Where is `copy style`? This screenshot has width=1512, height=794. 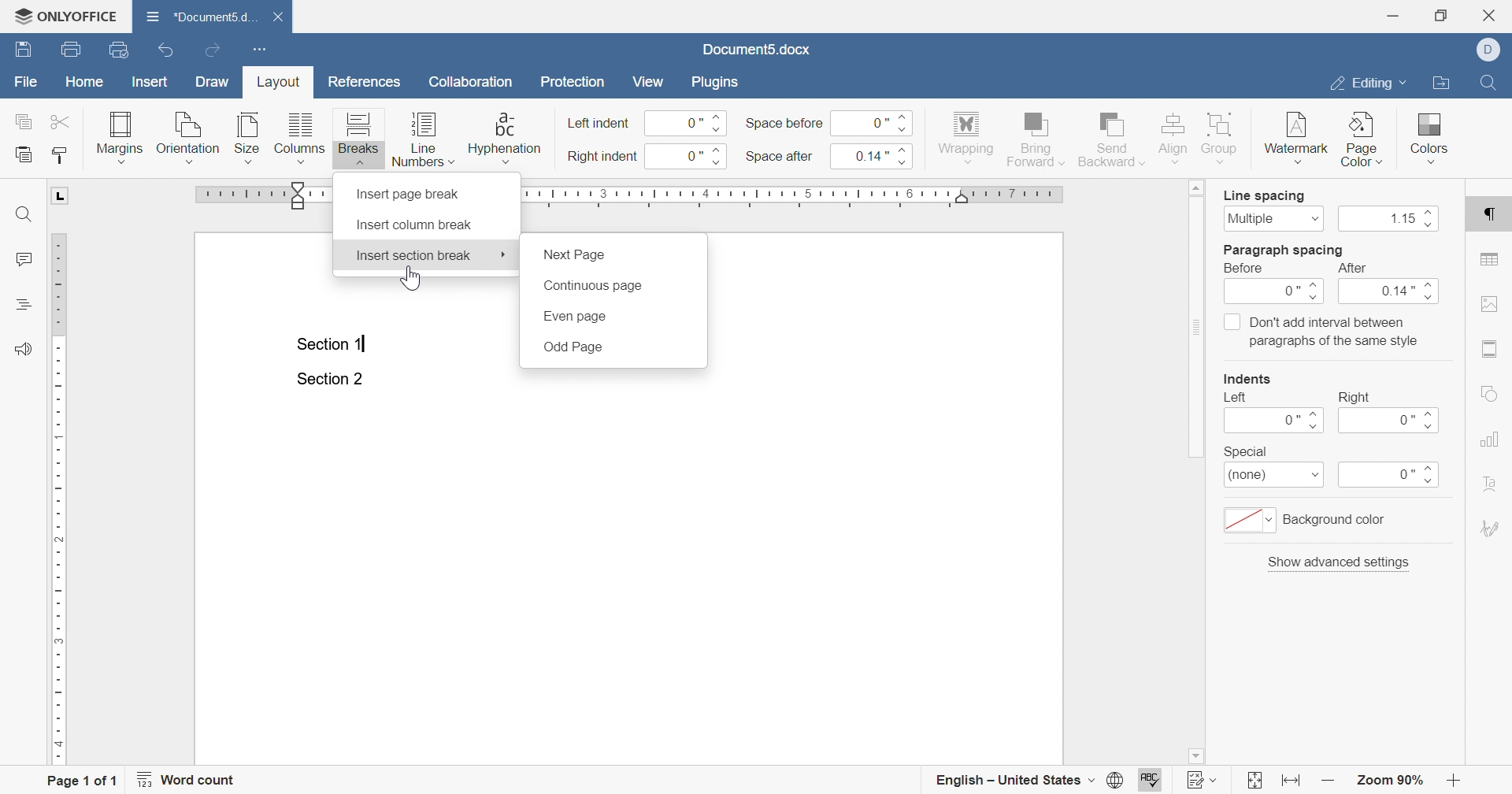
copy style is located at coordinates (57, 156).